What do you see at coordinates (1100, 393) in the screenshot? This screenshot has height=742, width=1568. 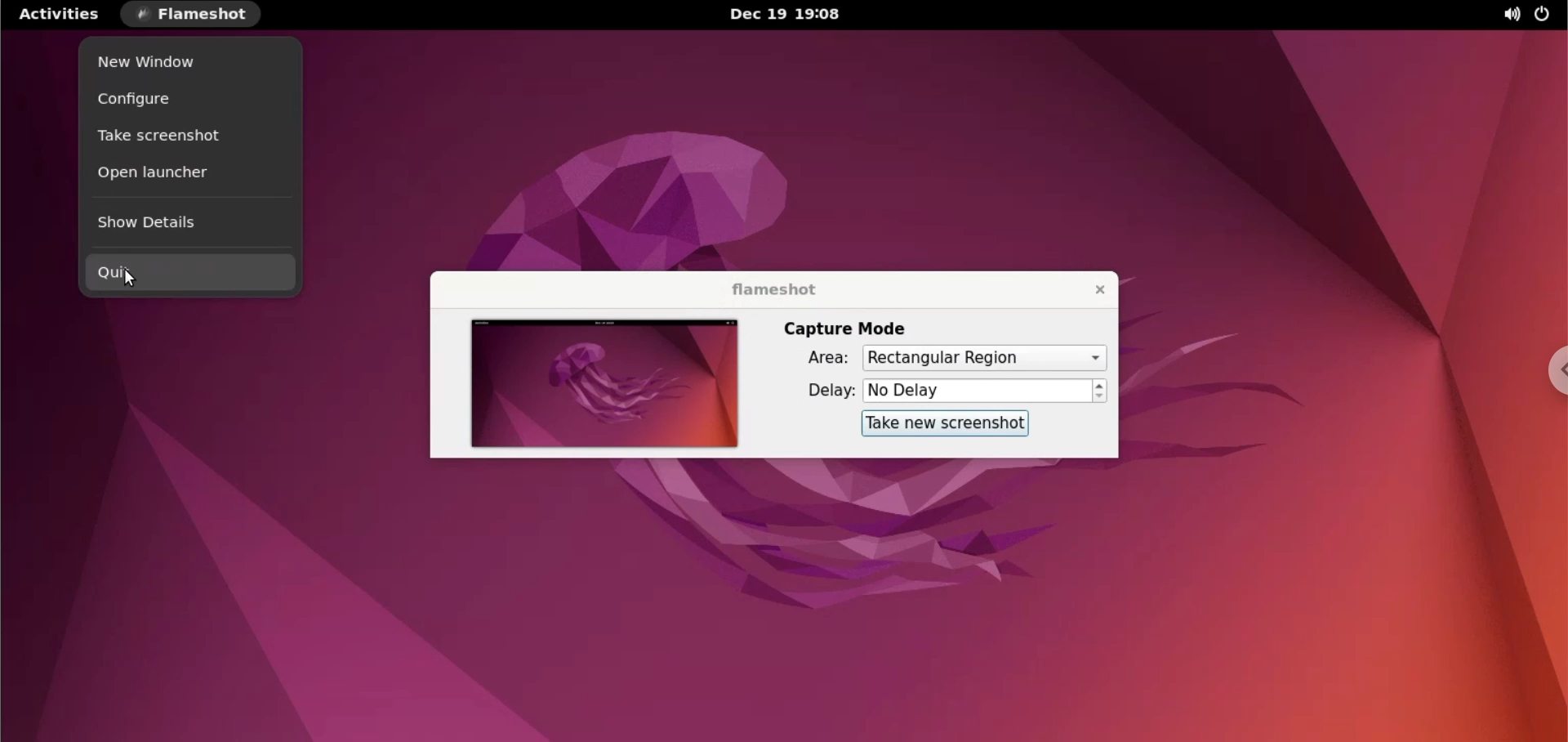 I see `increment and decrement delay` at bounding box center [1100, 393].